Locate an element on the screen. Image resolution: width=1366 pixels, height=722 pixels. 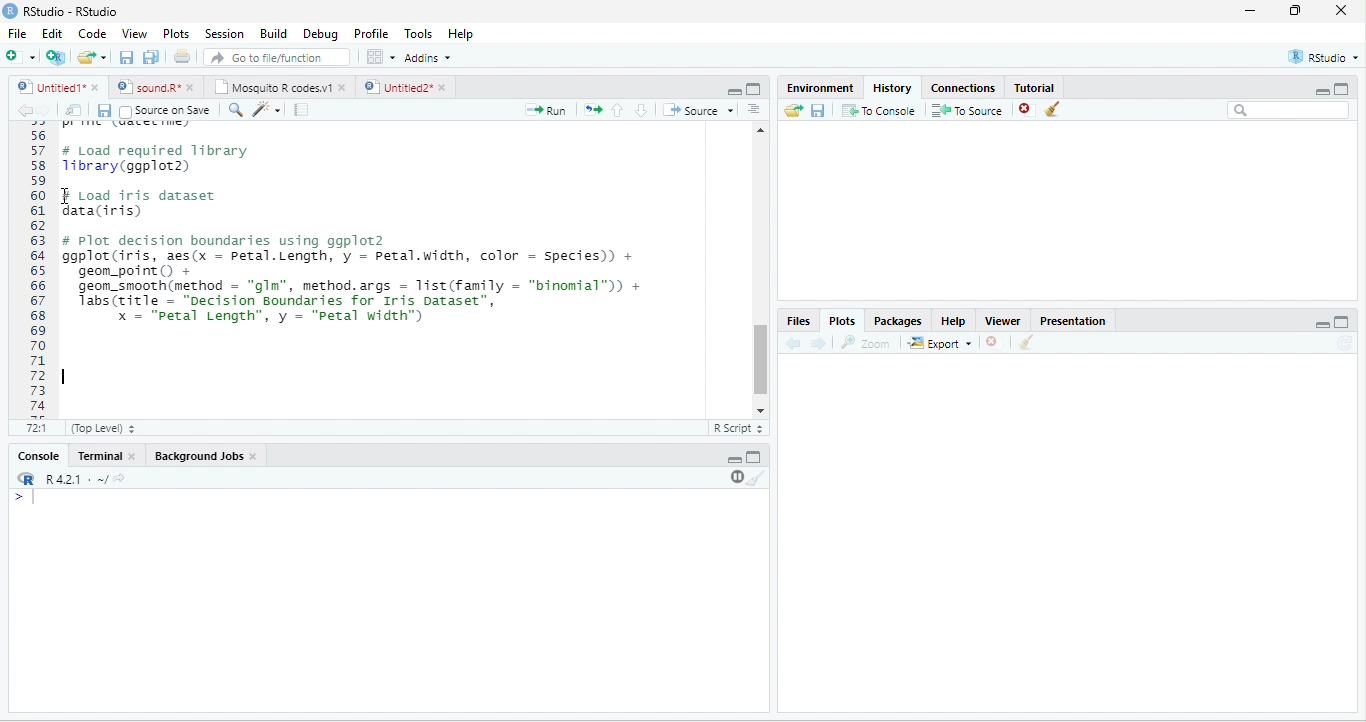
options is located at coordinates (754, 109).